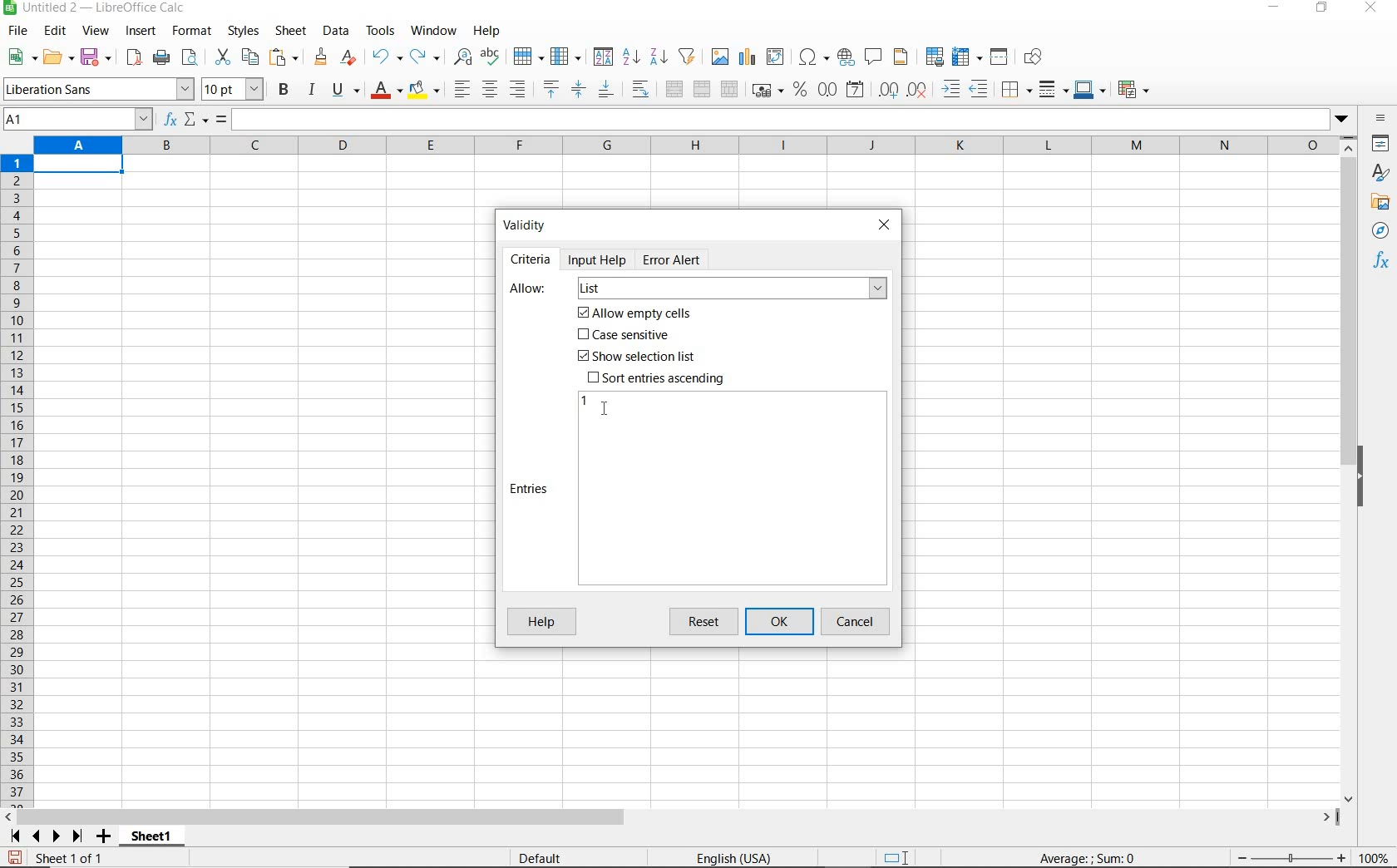  Describe the element at coordinates (461, 91) in the screenshot. I see `align left` at that location.